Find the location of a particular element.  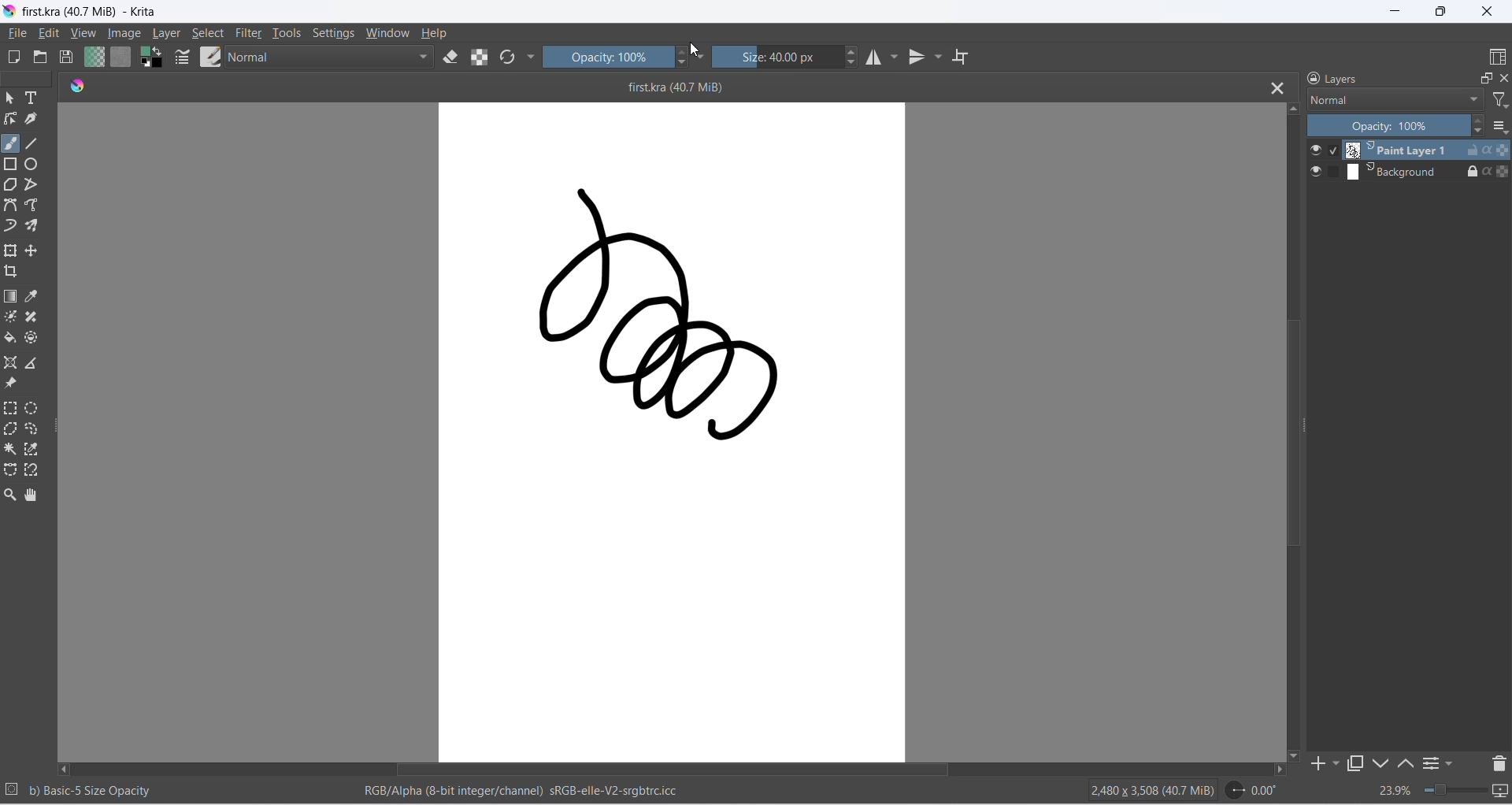

save is located at coordinates (67, 57).